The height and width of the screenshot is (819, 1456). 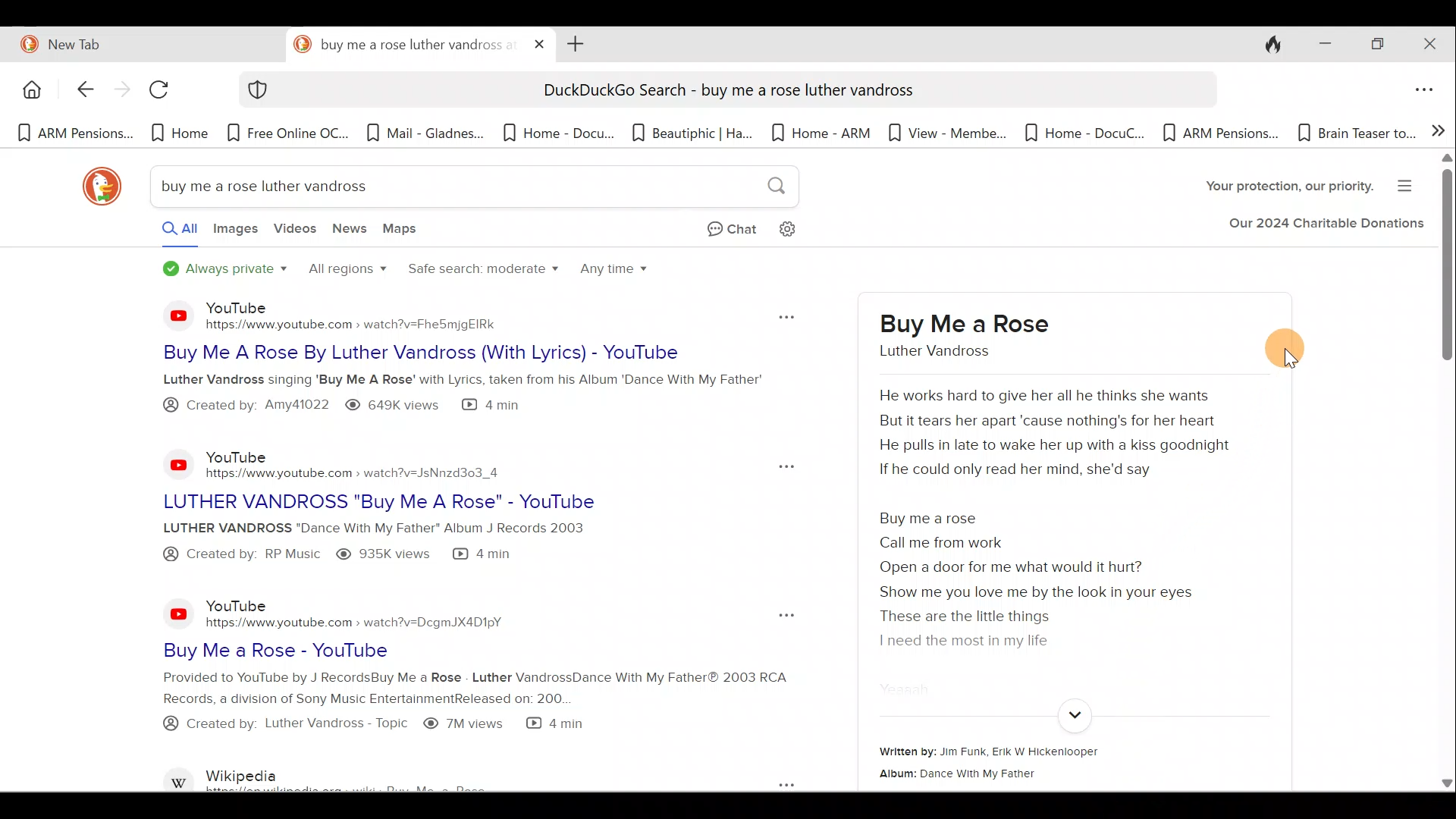 I want to click on Safe search: moderate, so click(x=480, y=275).